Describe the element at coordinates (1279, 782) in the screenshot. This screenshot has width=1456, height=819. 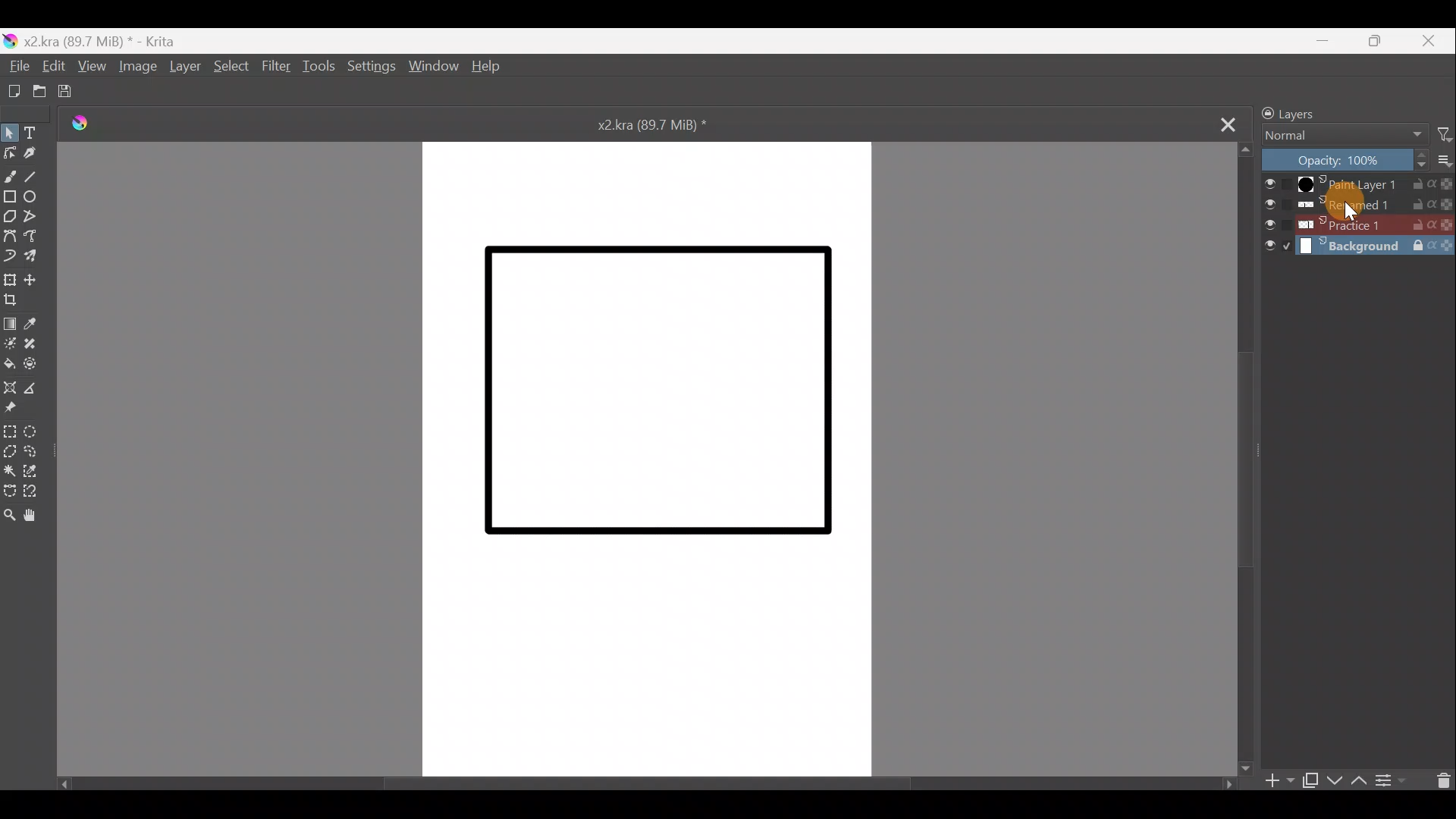
I see `Add layer` at that location.